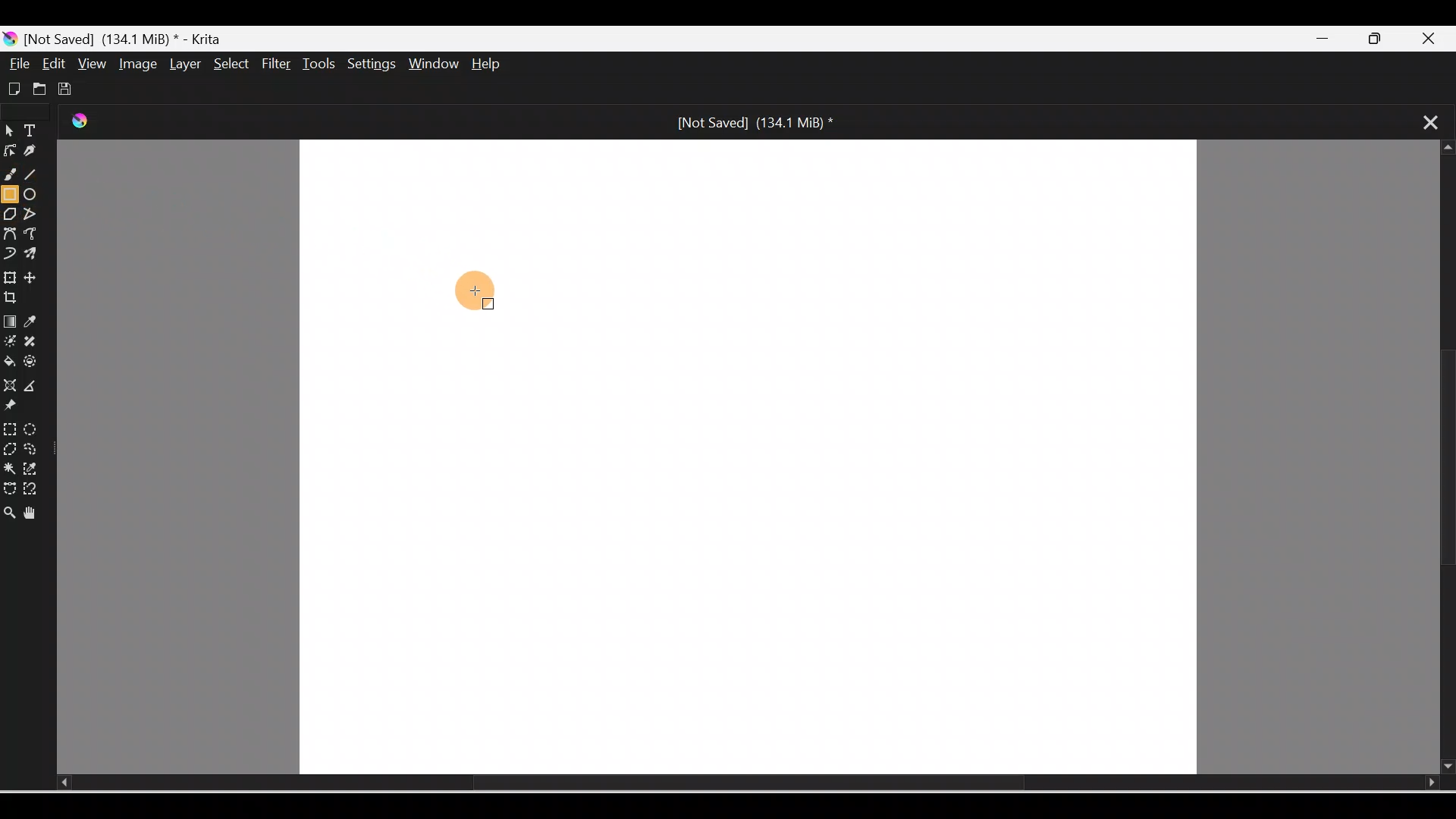 The image size is (1456, 819). I want to click on Polyline, so click(33, 213).